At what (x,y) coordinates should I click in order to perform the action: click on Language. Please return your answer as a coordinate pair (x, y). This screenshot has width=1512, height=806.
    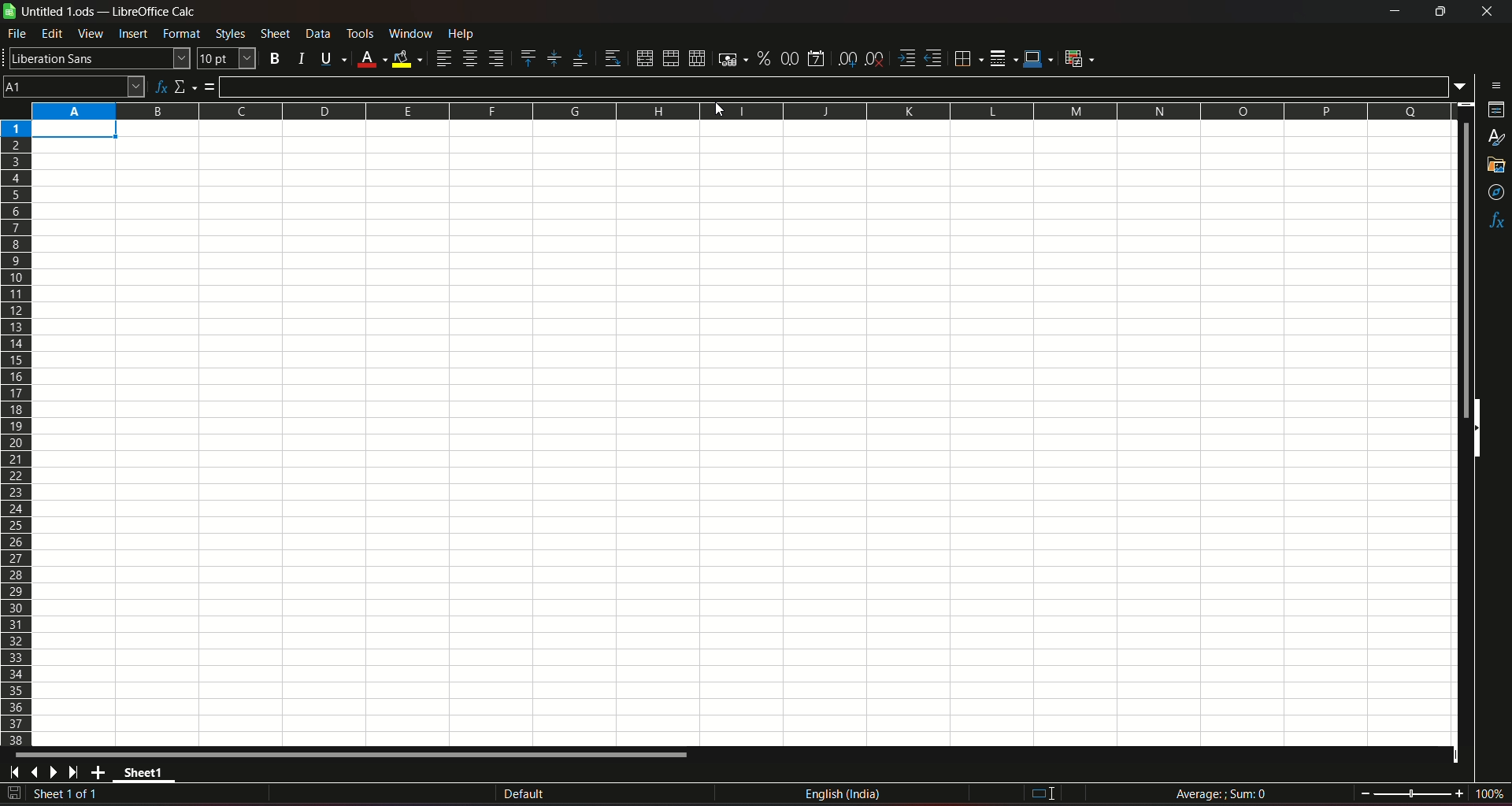
    Looking at the image, I should click on (844, 794).